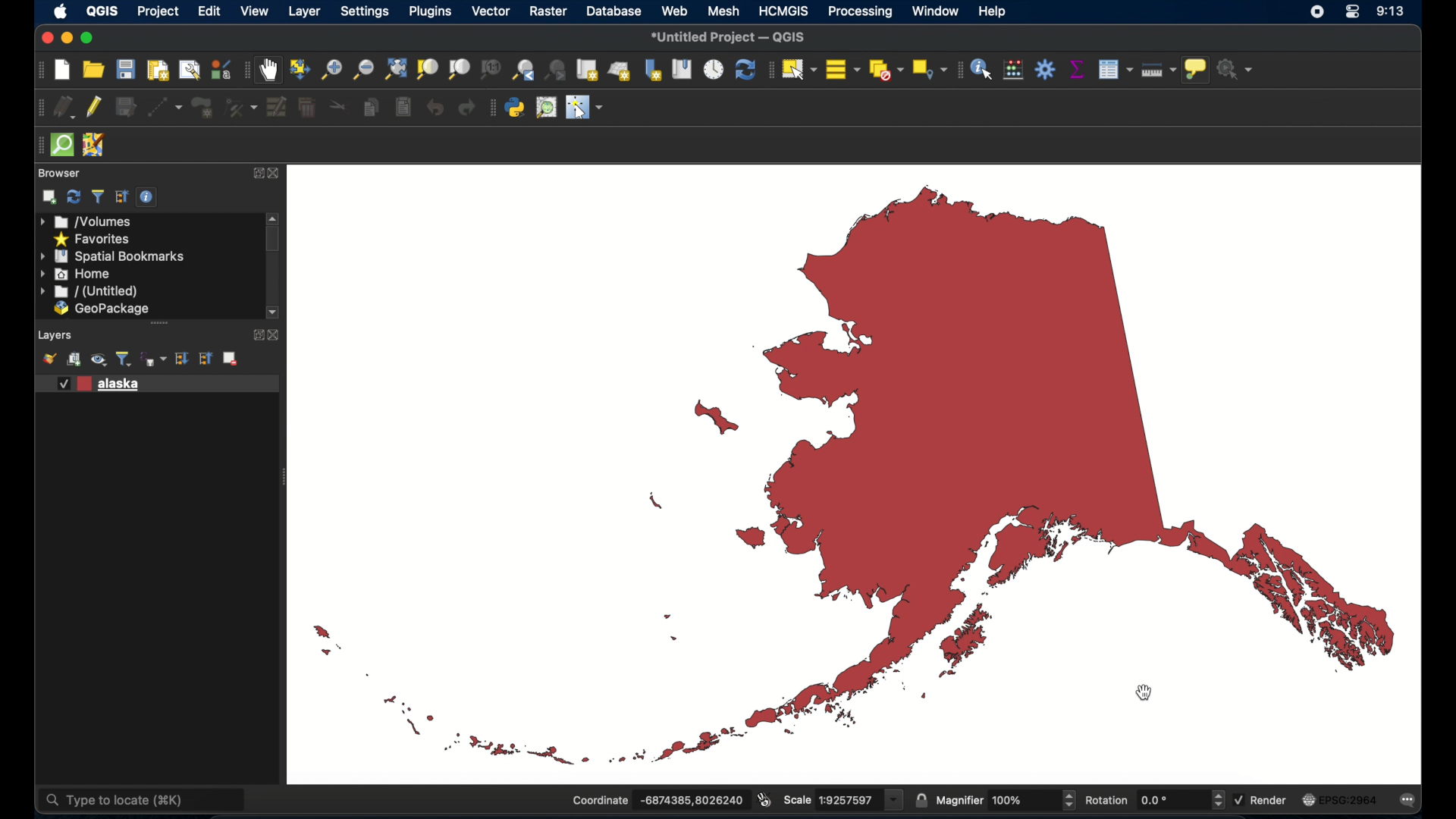  What do you see at coordinates (61, 146) in the screenshot?
I see `quicksom` at bounding box center [61, 146].